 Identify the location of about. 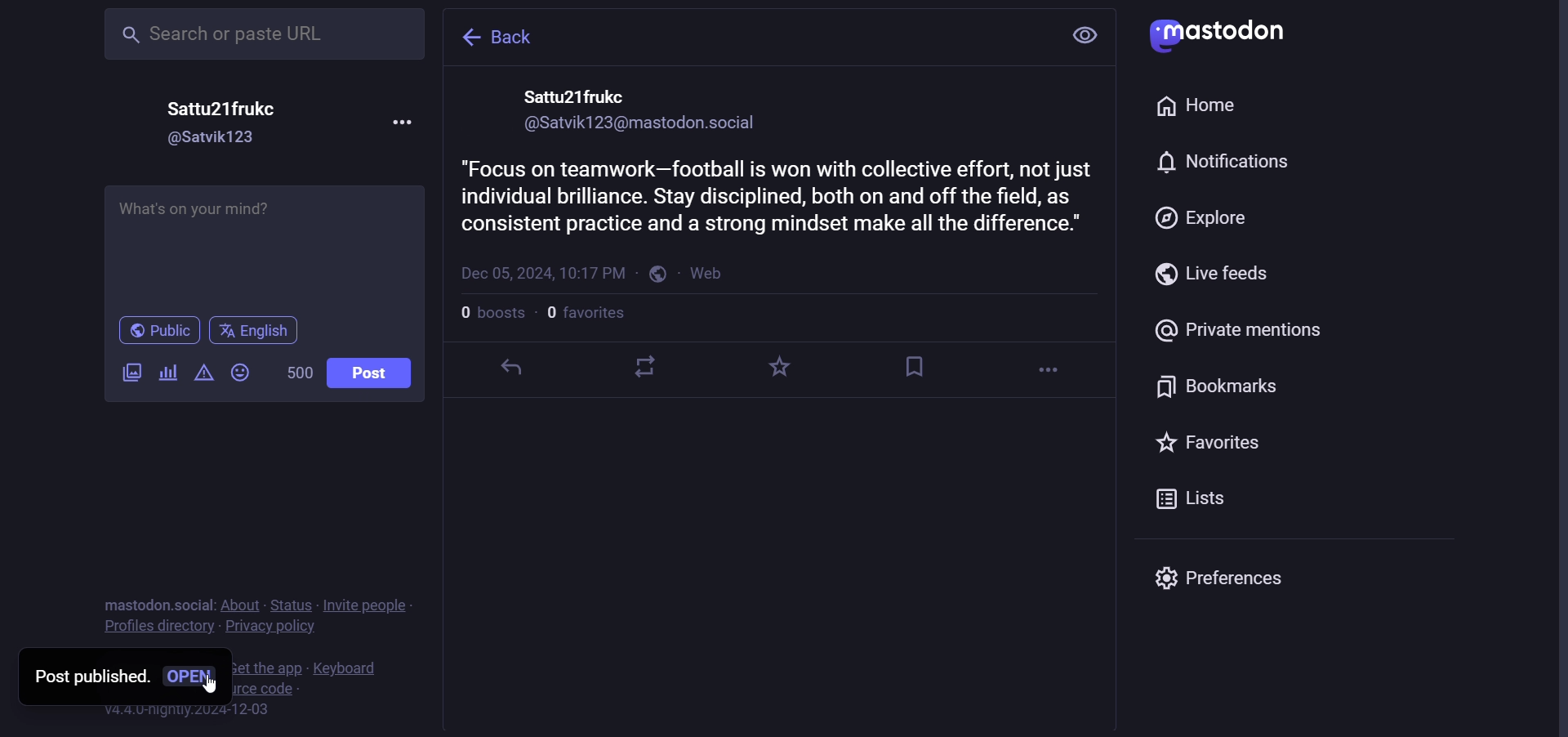
(238, 604).